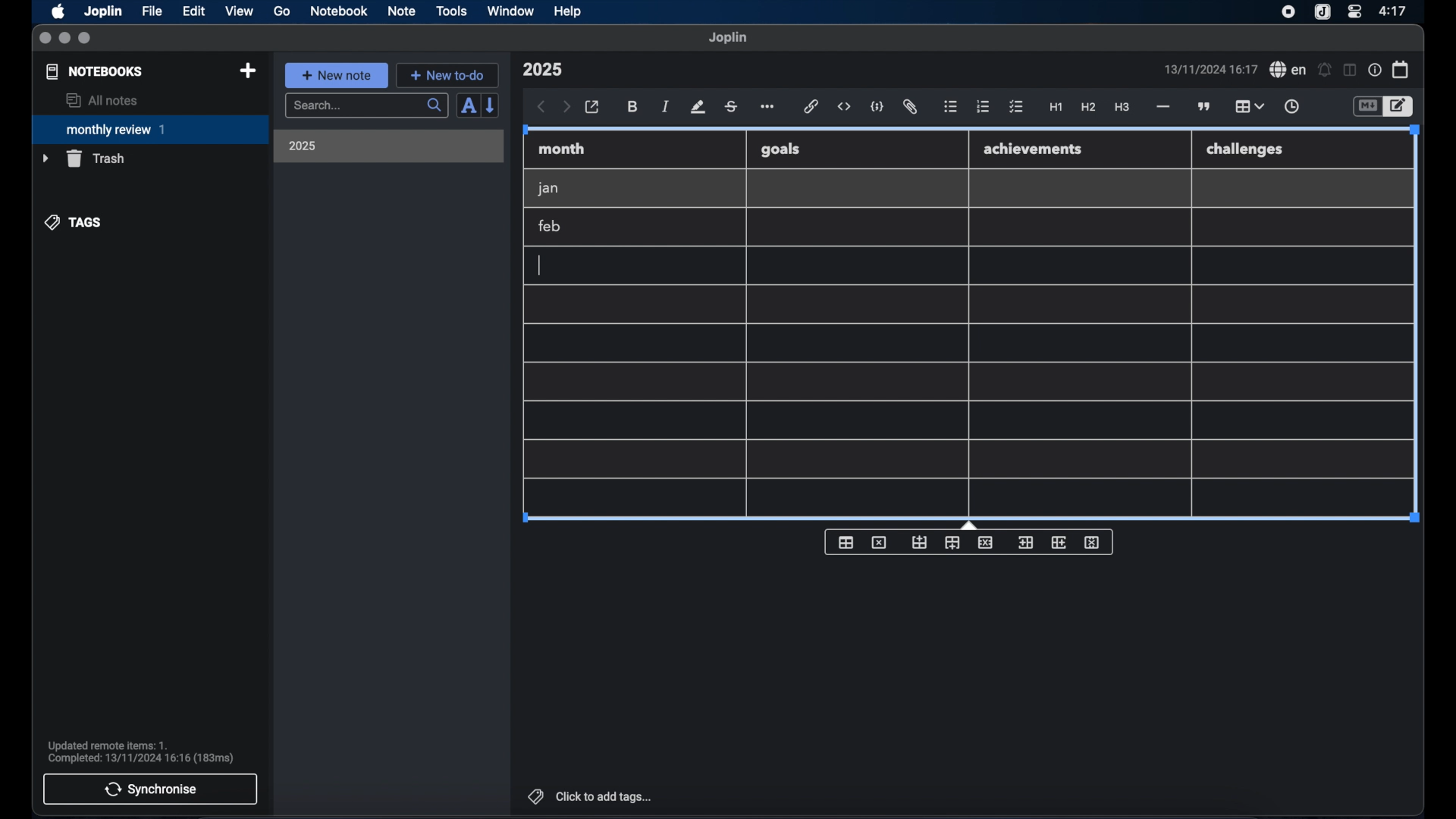 Image resolution: width=1456 pixels, height=819 pixels. I want to click on set alarm, so click(1325, 71).